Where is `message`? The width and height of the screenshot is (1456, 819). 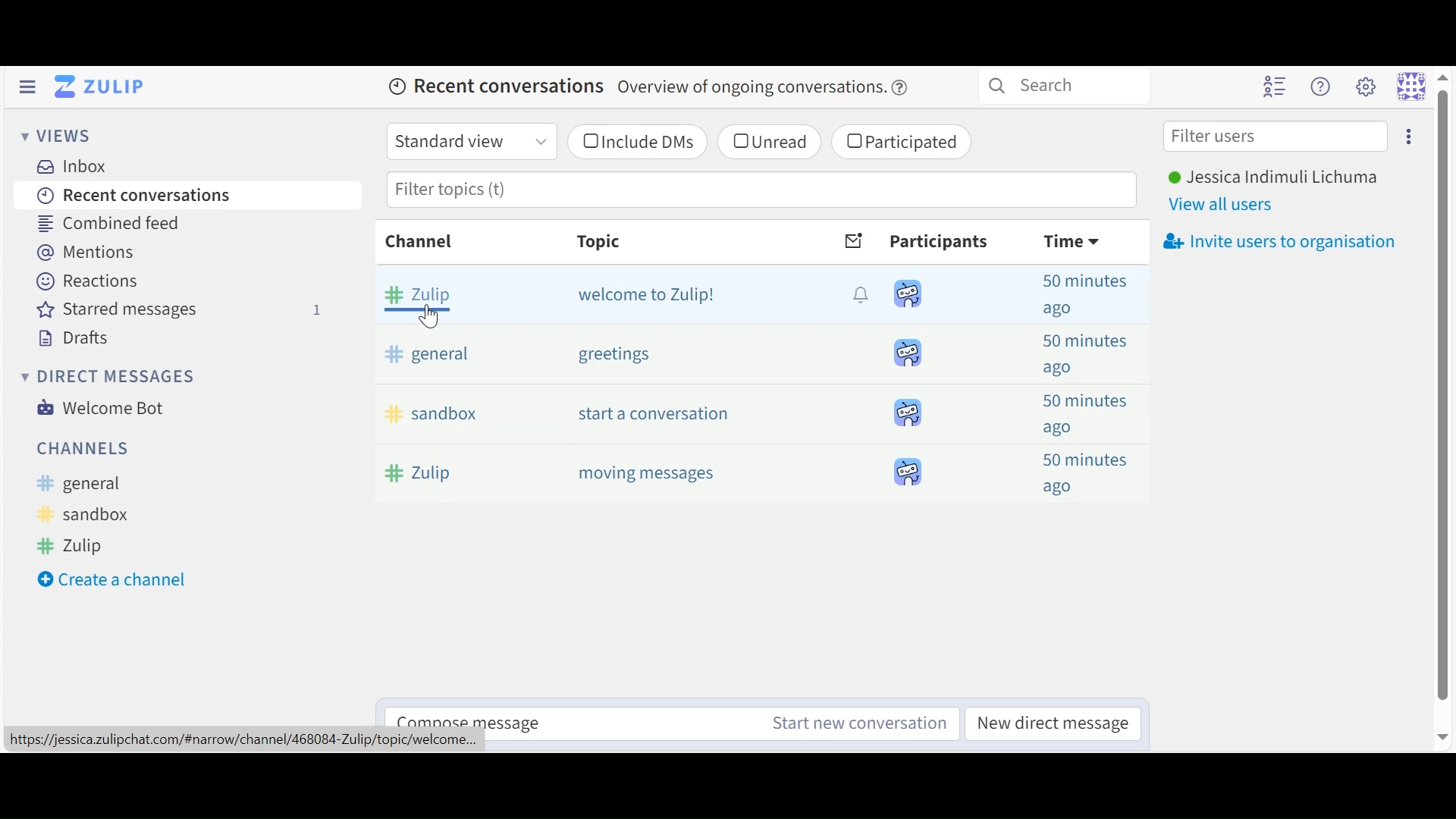 message is located at coordinates (751, 87).